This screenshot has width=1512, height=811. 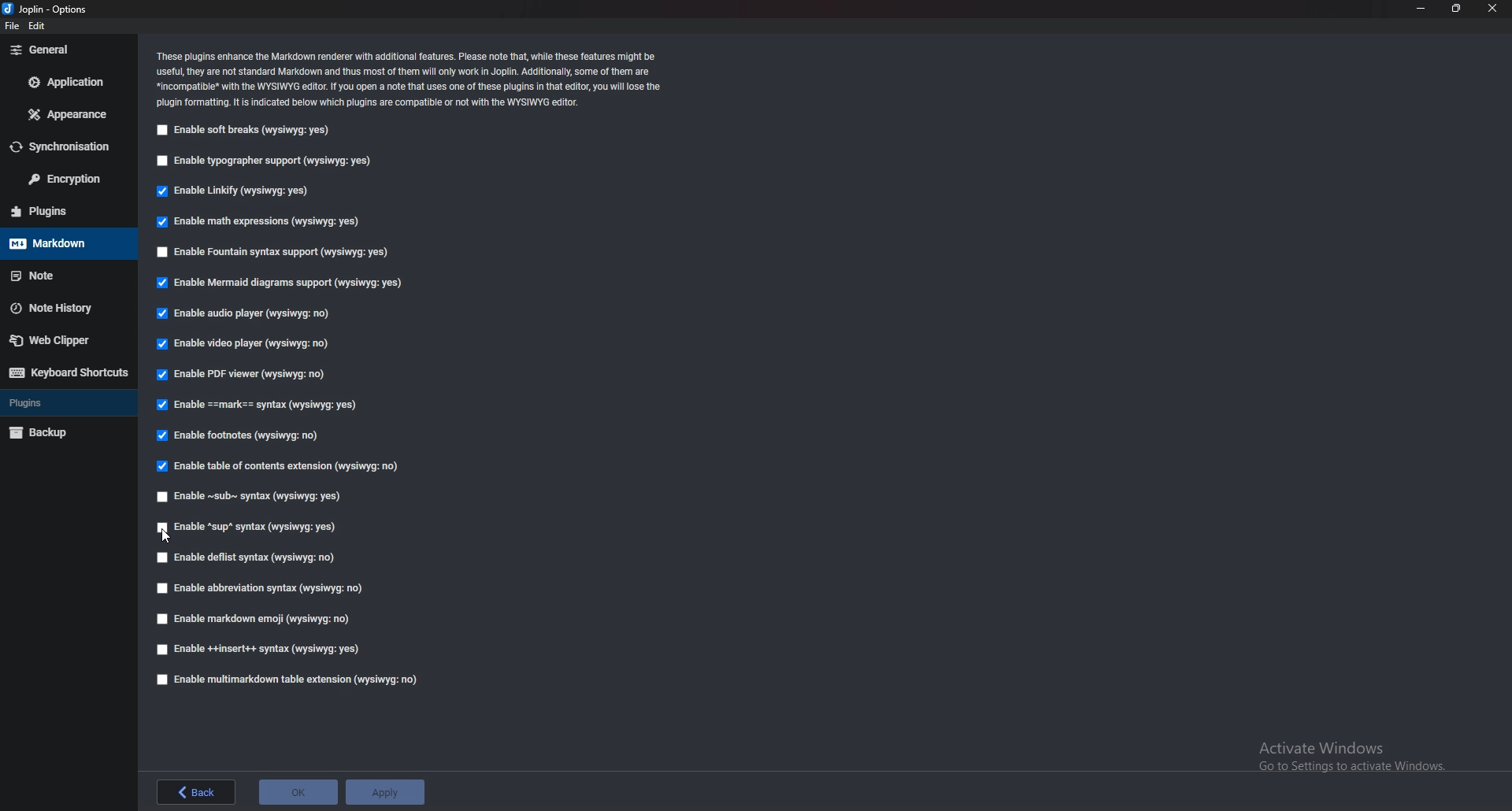 I want to click on Enable typographer support (wysiwyg: yes), so click(x=269, y=158).